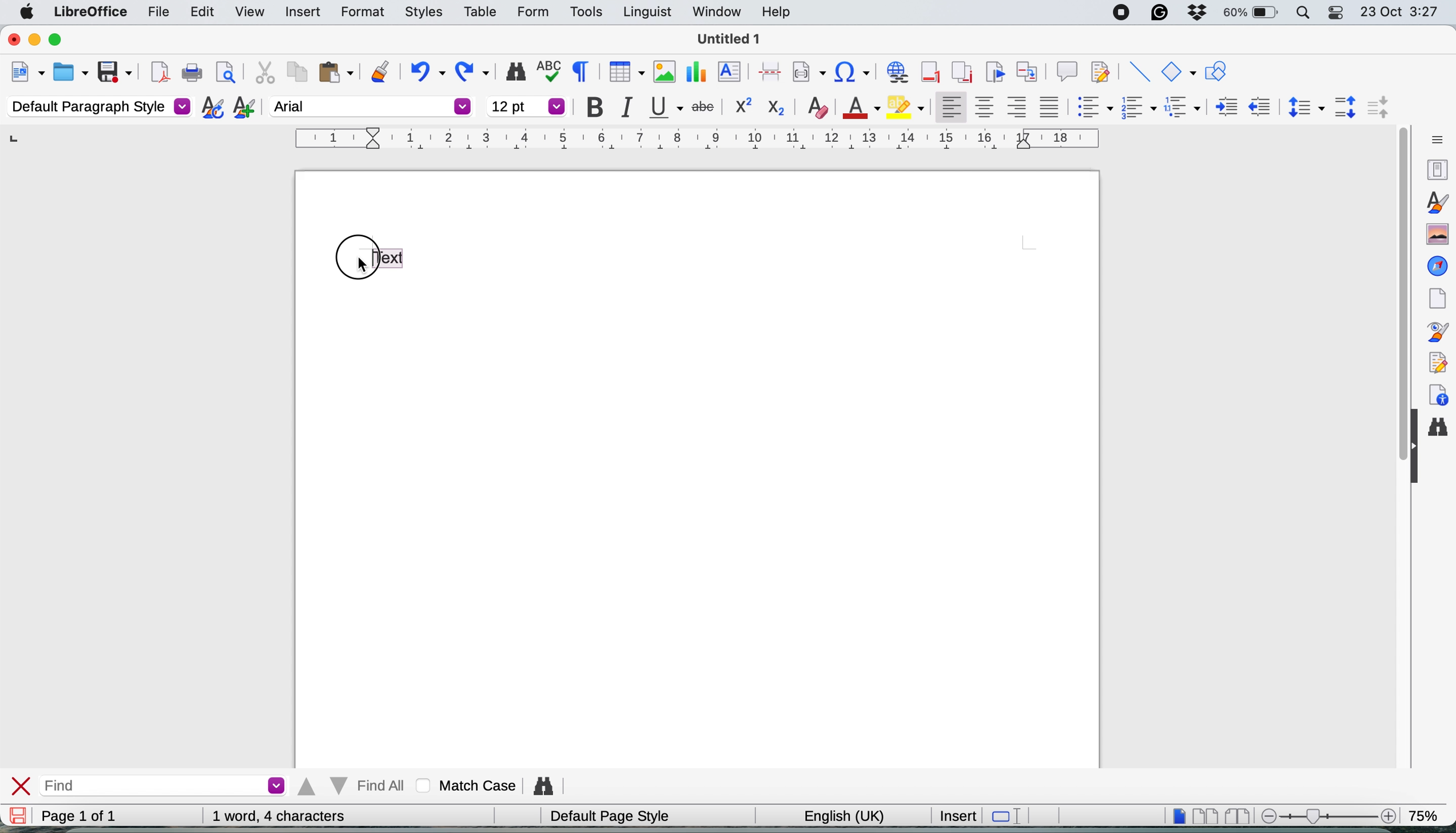 This screenshot has height=833, width=1456. I want to click on word and character count, so click(279, 816).